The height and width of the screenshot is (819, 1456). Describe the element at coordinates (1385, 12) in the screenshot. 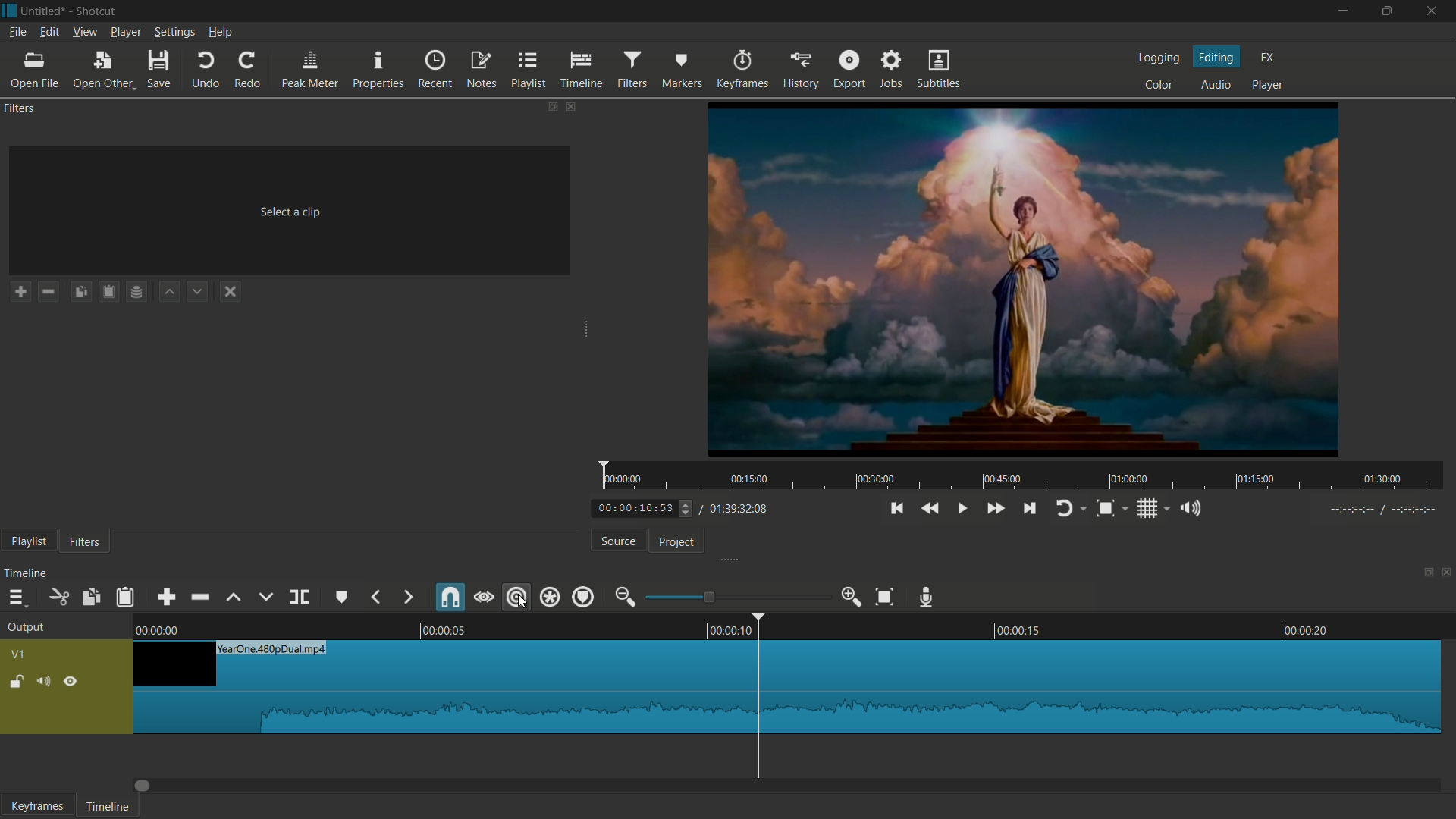

I see `maximize` at that location.